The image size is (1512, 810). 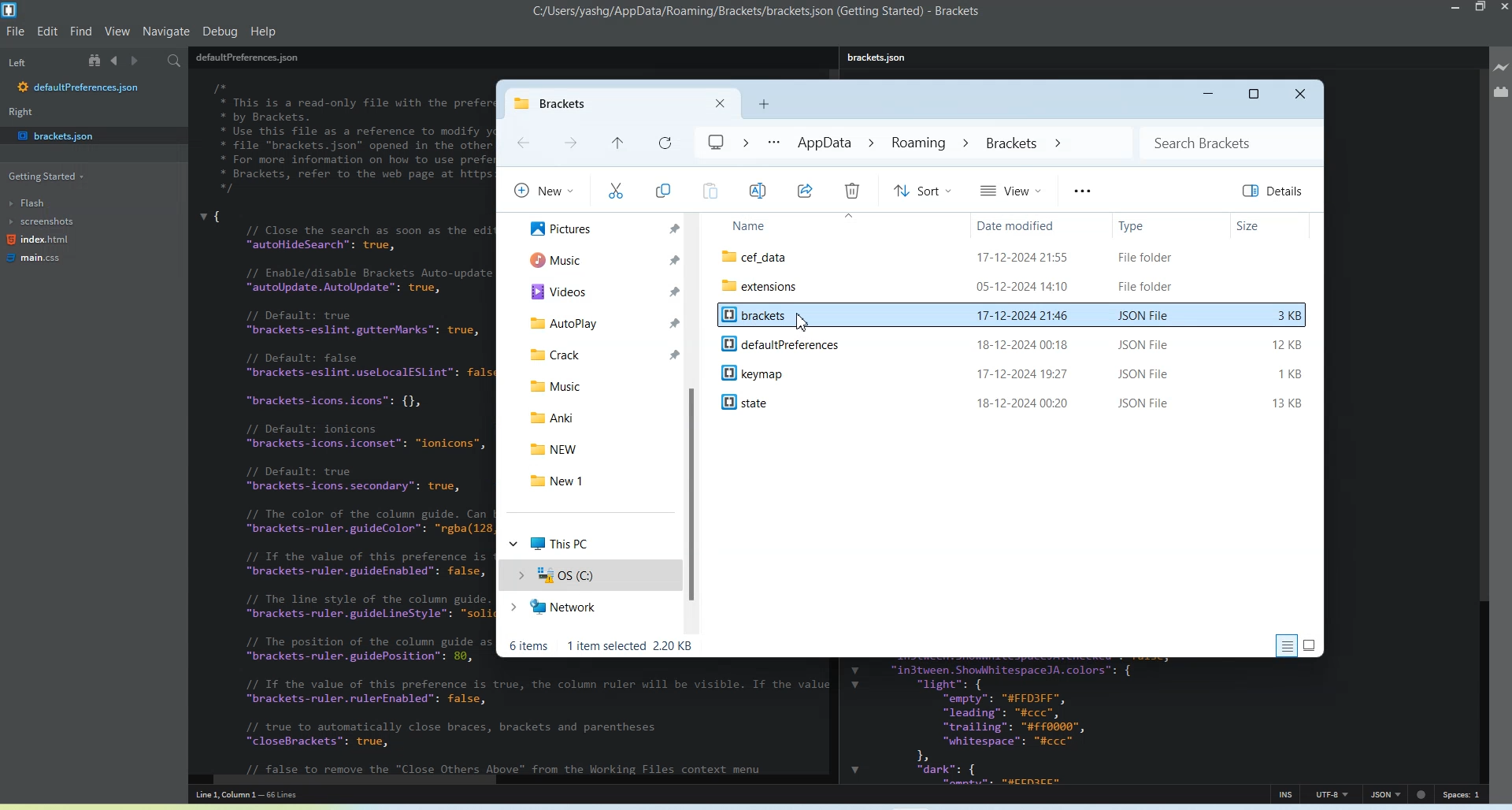 What do you see at coordinates (522, 143) in the screenshot?
I see `Go Back` at bounding box center [522, 143].